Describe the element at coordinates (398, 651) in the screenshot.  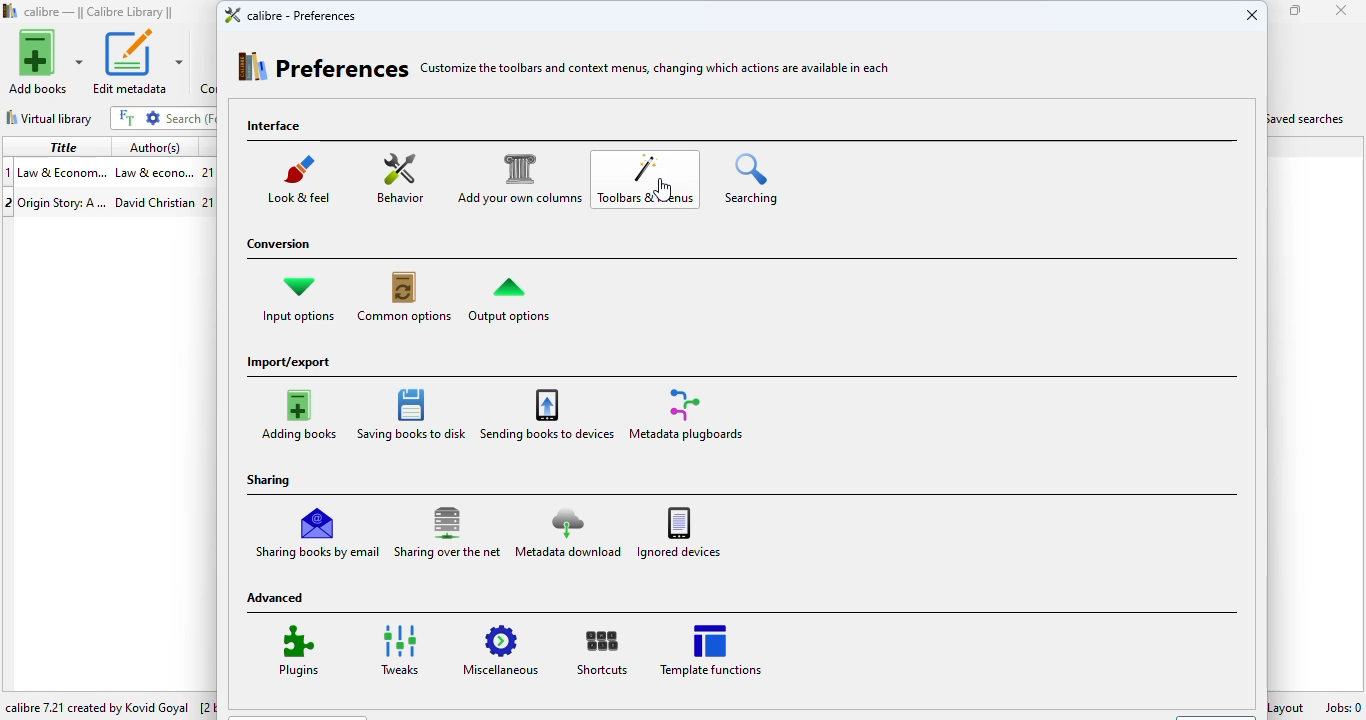
I see `tweaks` at that location.